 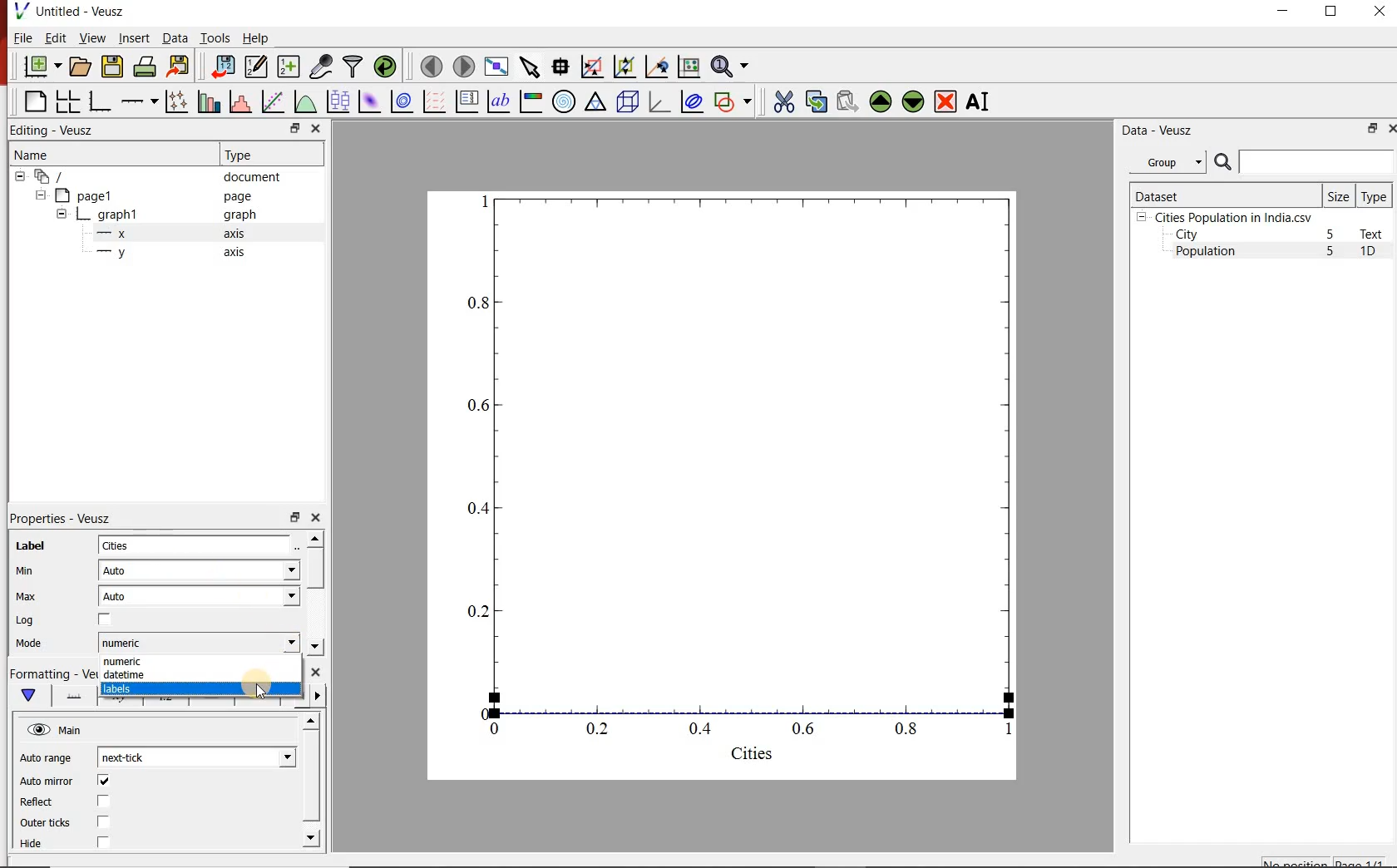 I want to click on Type, so click(x=1375, y=195).